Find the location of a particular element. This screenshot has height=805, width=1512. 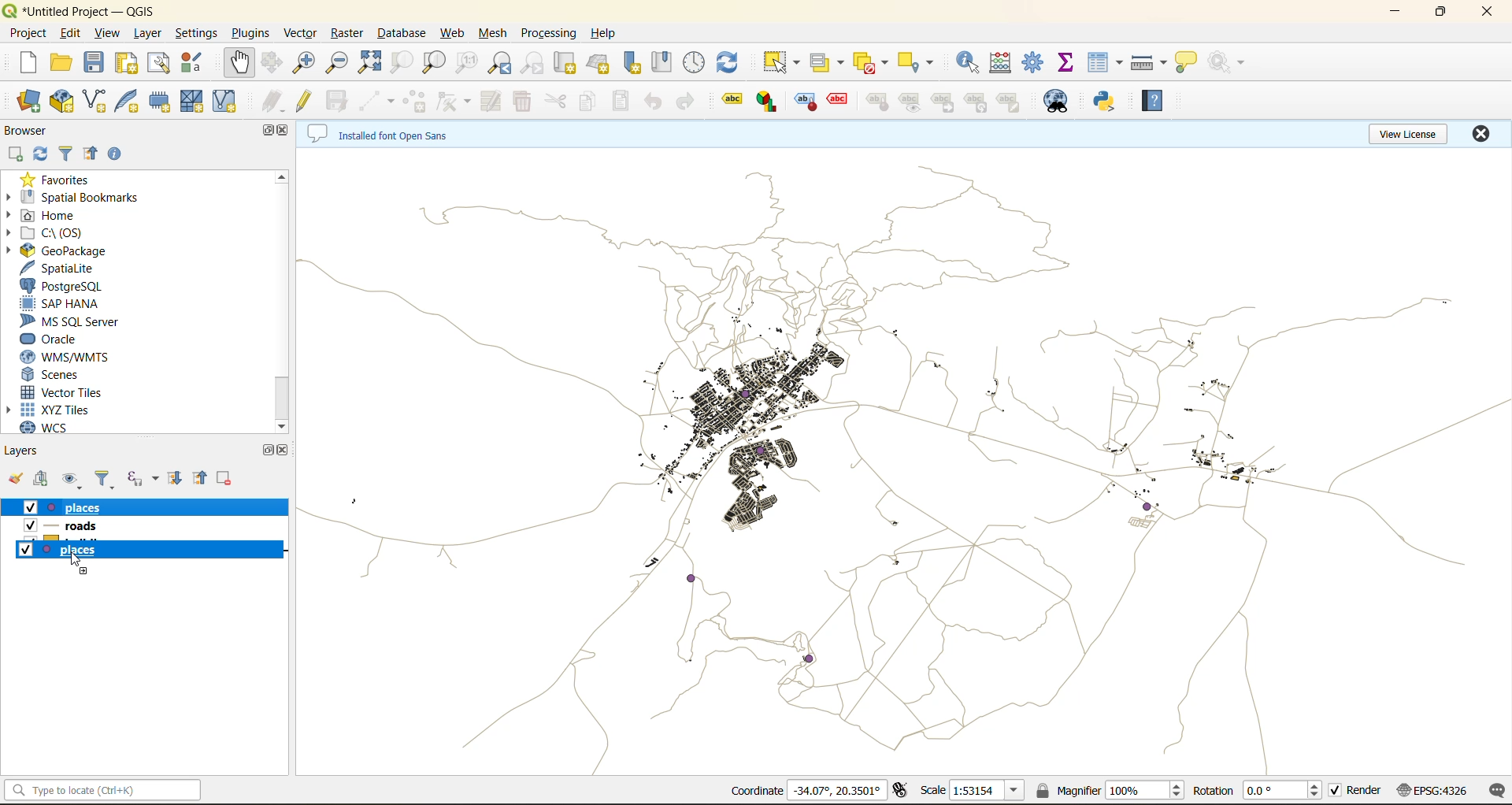

virtual layer is located at coordinates (232, 102).